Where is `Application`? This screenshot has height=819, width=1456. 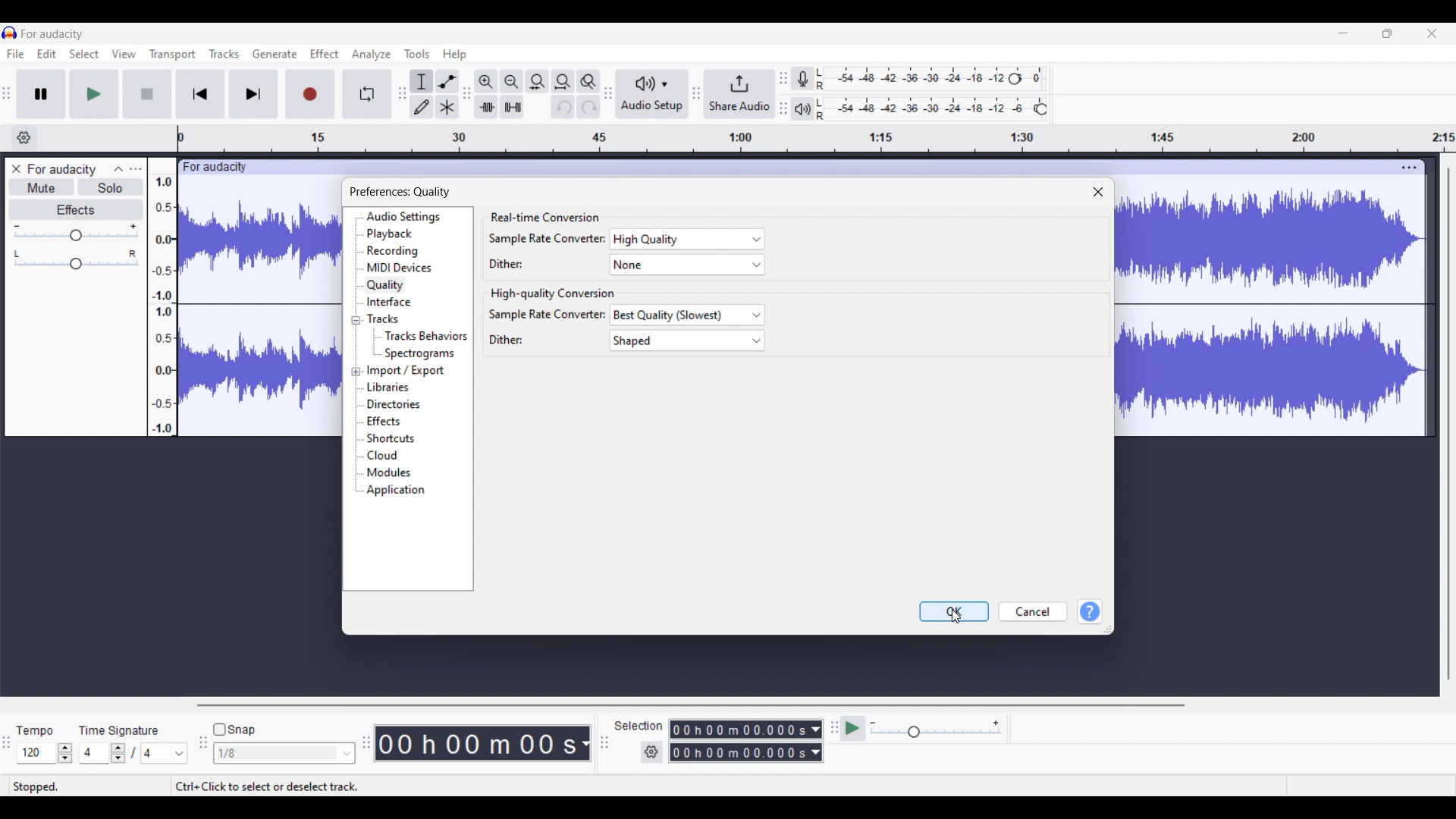
Application is located at coordinates (395, 490).